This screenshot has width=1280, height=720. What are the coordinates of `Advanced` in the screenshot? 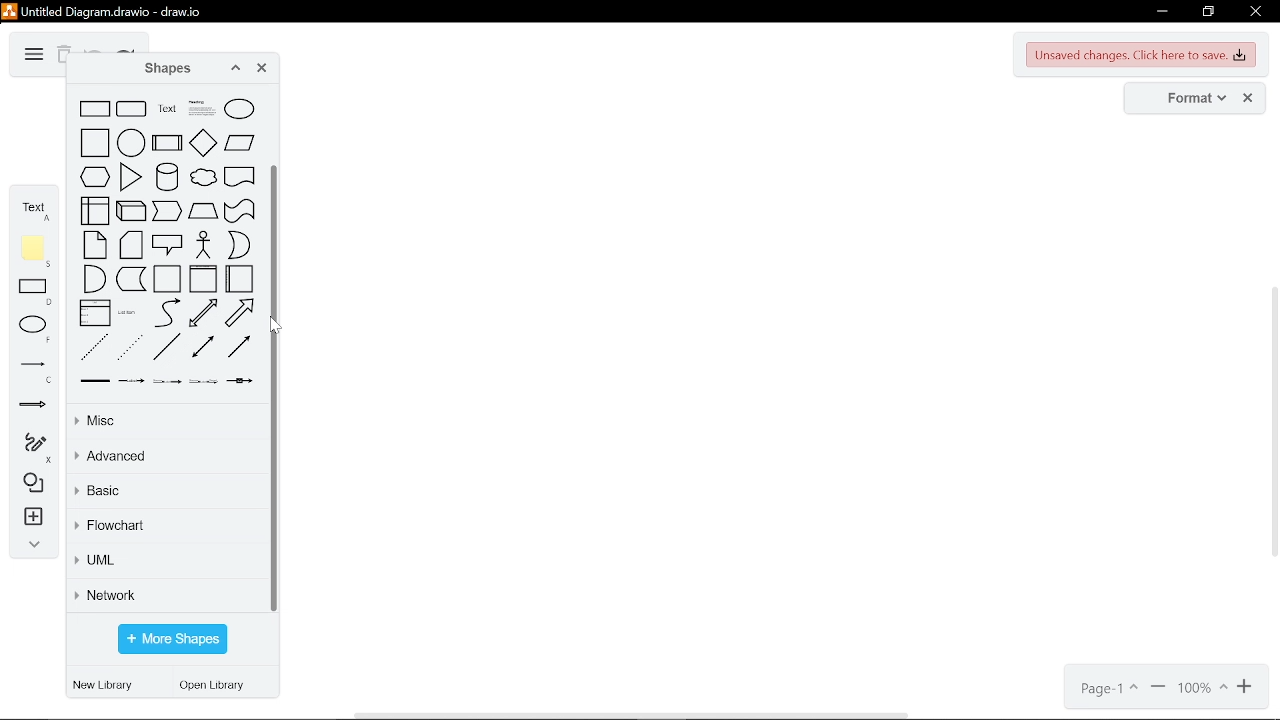 It's located at (169, 457).